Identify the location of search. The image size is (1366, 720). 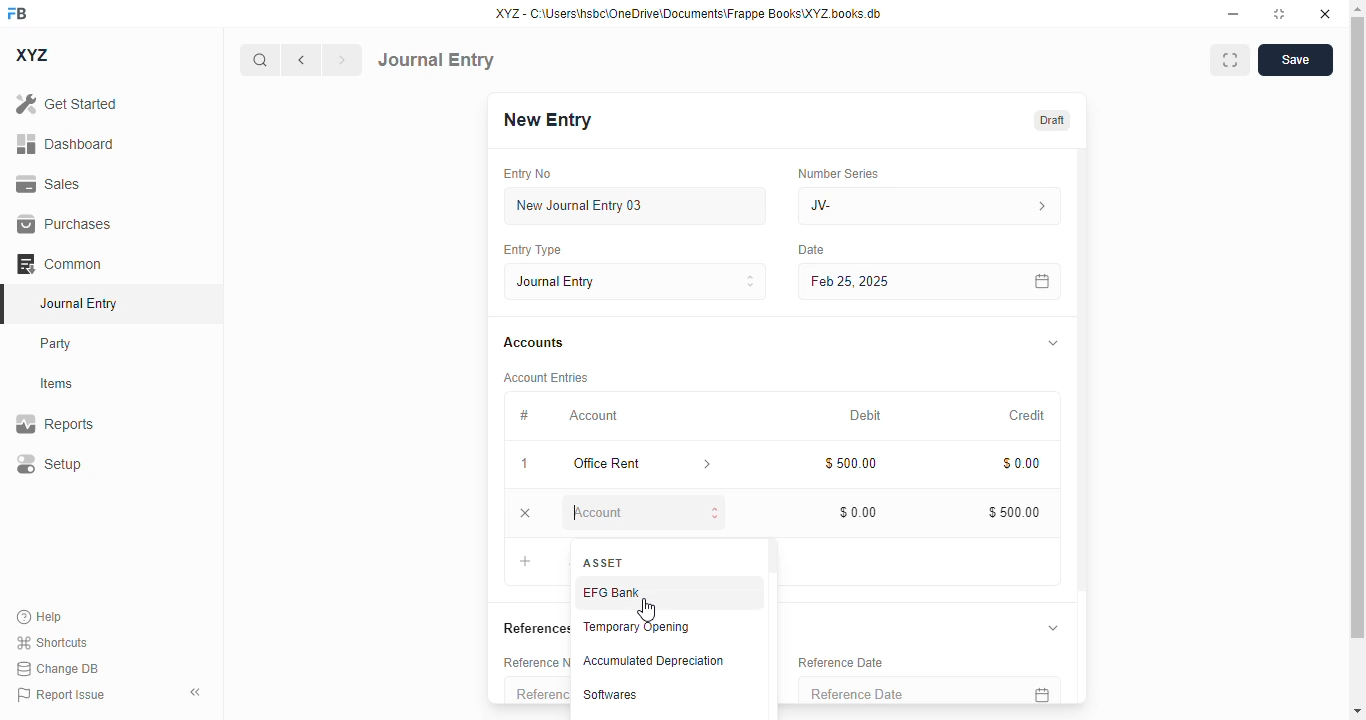
(259, 60).